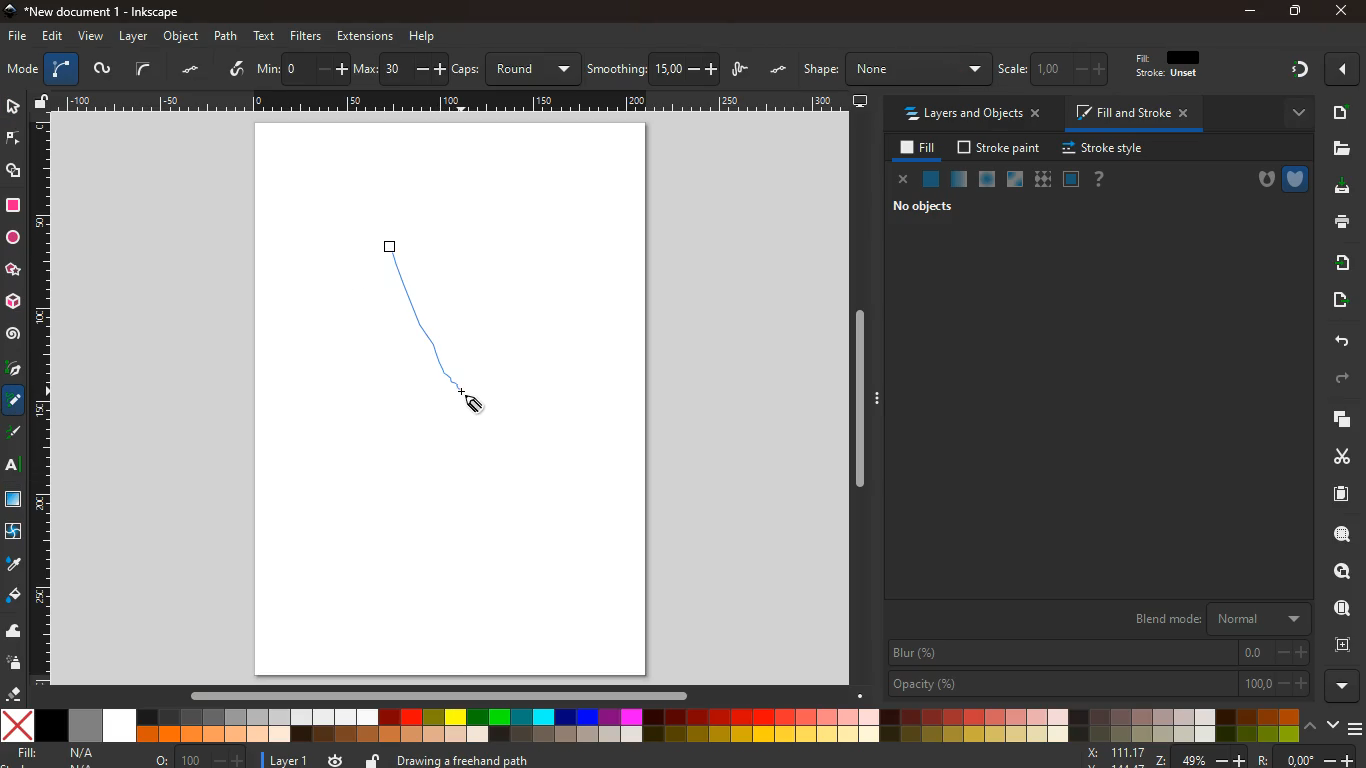 The width and height of the screenshot is (1366, 768). Describe the element at coordinates (14, 142) in the screenshot. I see `edge` at that location.